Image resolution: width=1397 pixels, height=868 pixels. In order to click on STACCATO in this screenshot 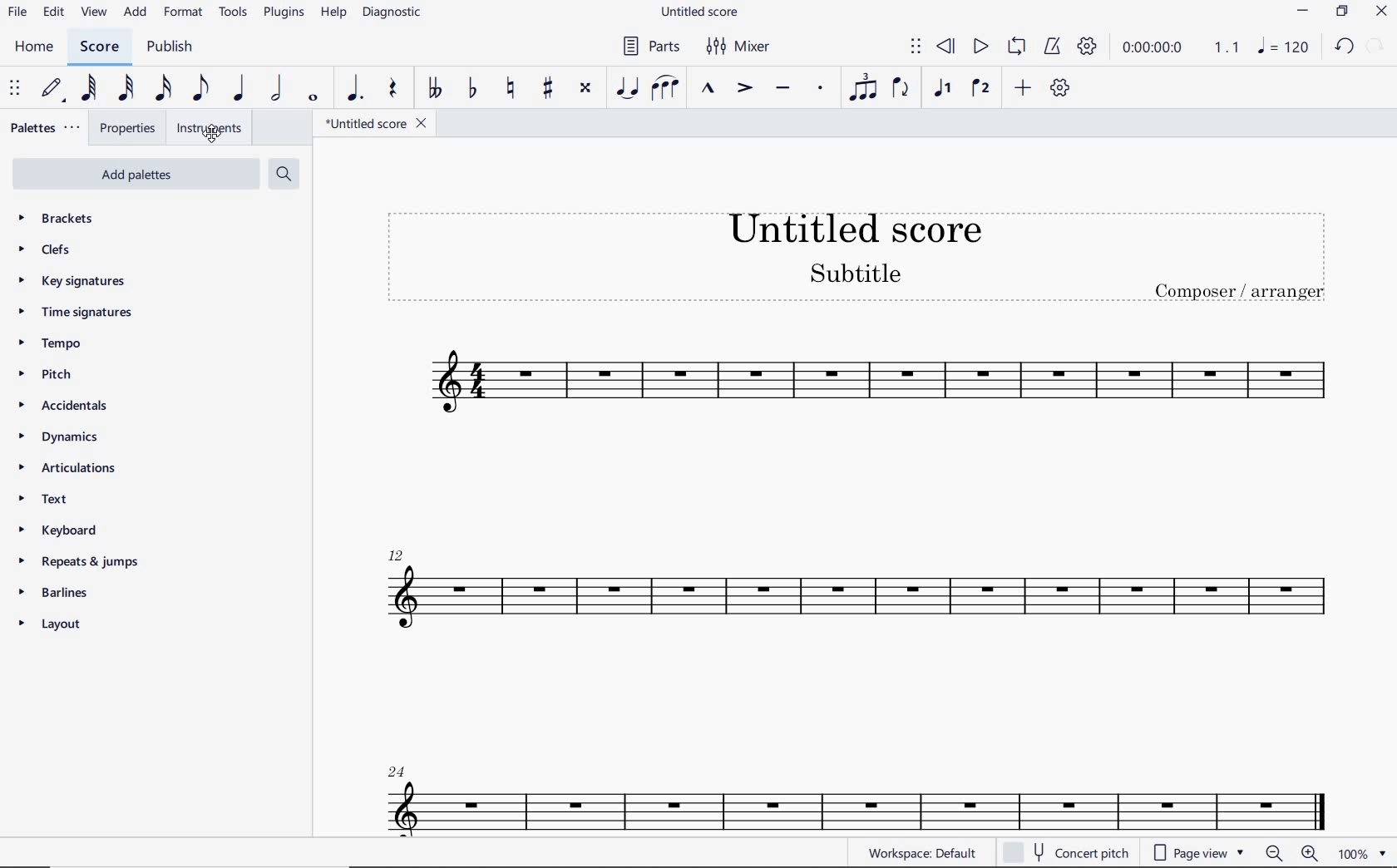, I will do `click(818, 88)`.